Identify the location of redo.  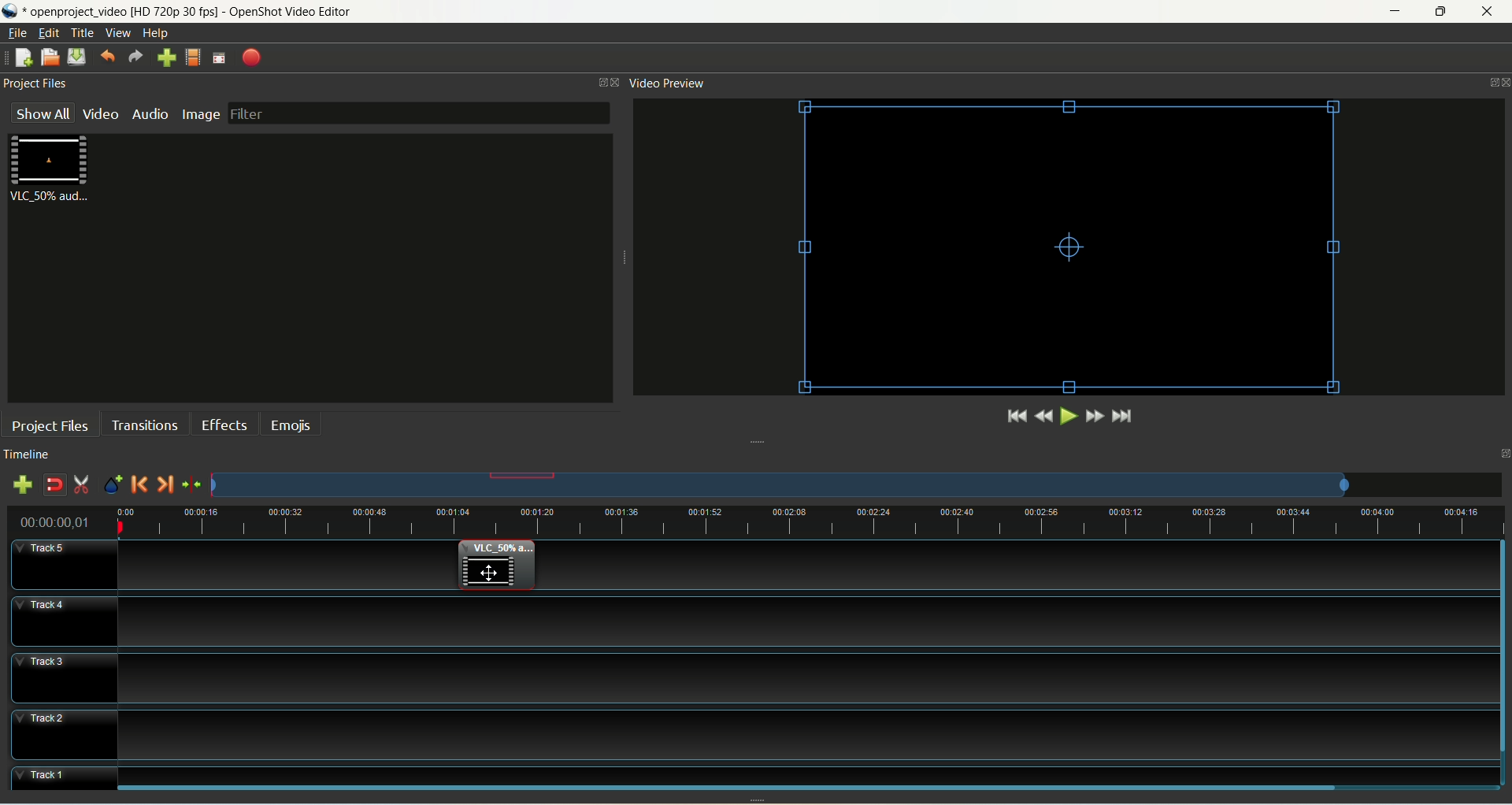
(136, 57).